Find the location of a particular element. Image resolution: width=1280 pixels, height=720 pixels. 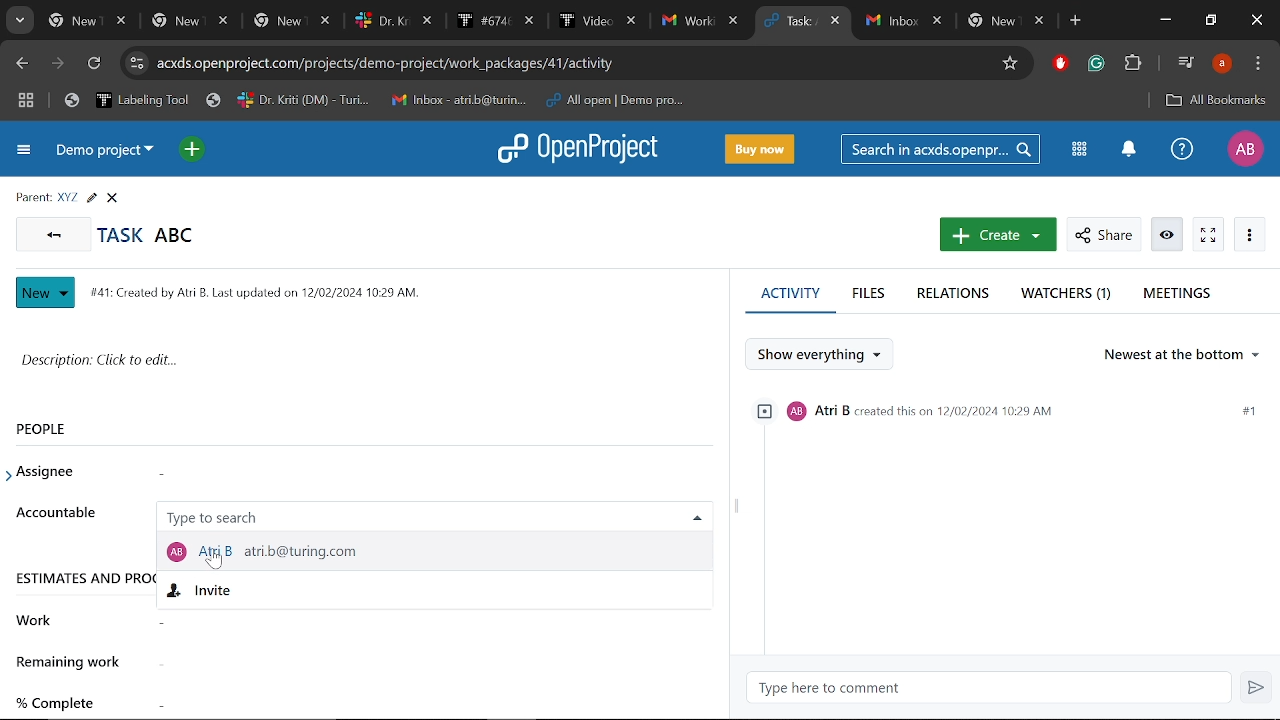

Work is located at coordinates (318, 618).